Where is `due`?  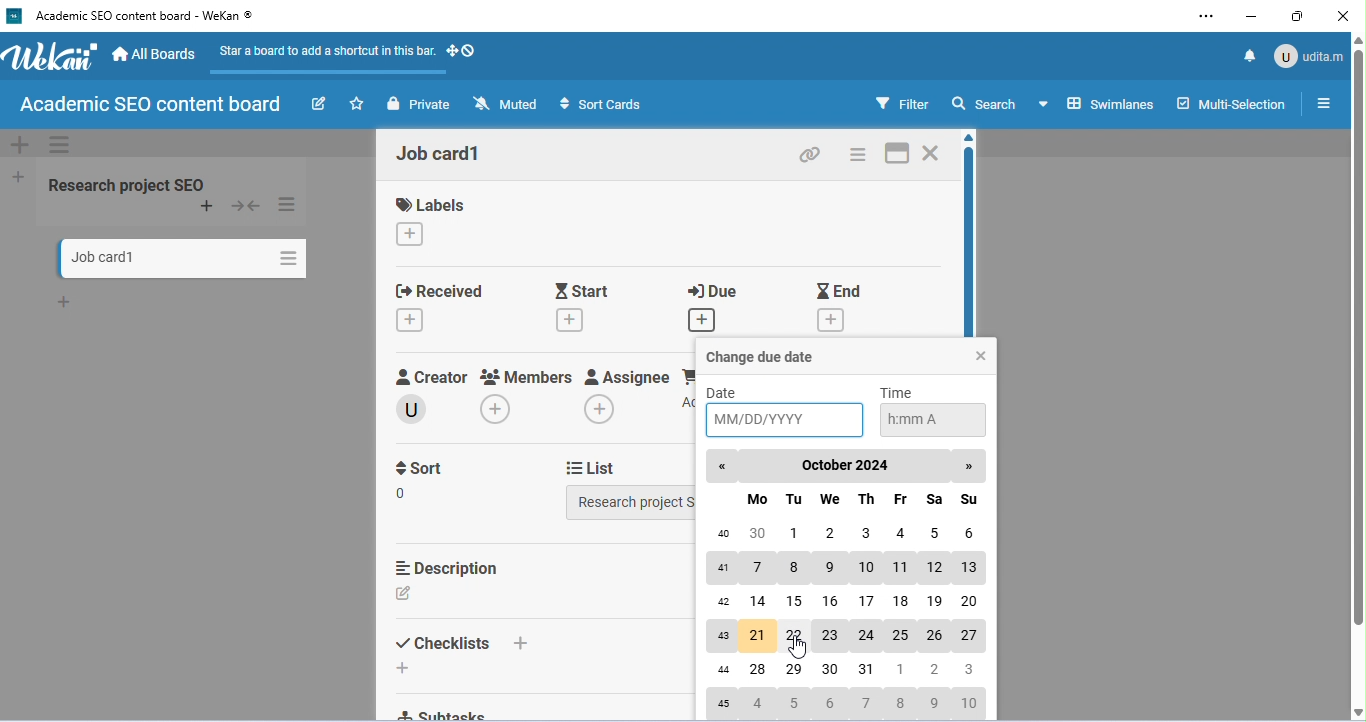
due is located at coordinates (720, 289).